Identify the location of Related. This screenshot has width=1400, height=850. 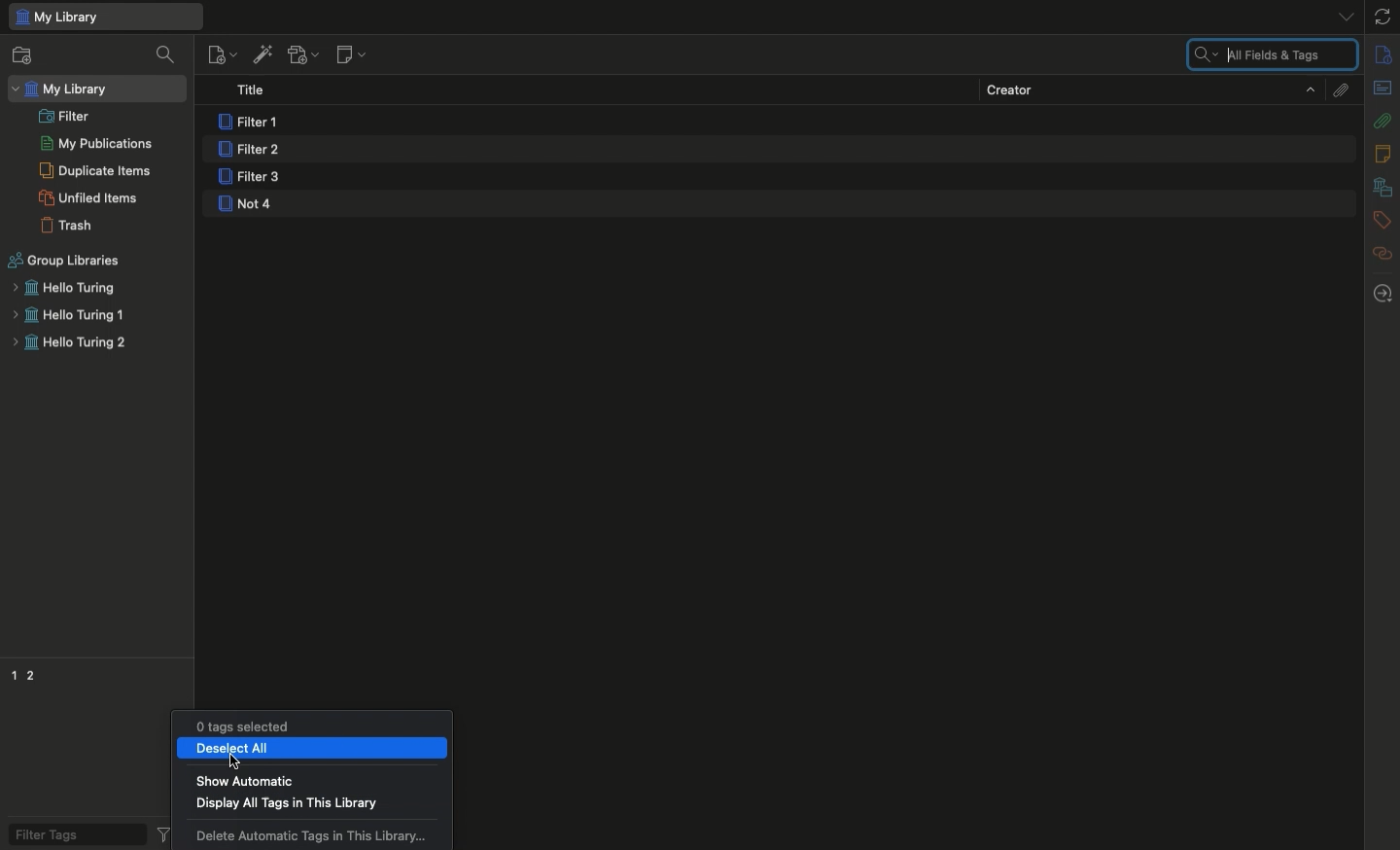
(1382, 253).